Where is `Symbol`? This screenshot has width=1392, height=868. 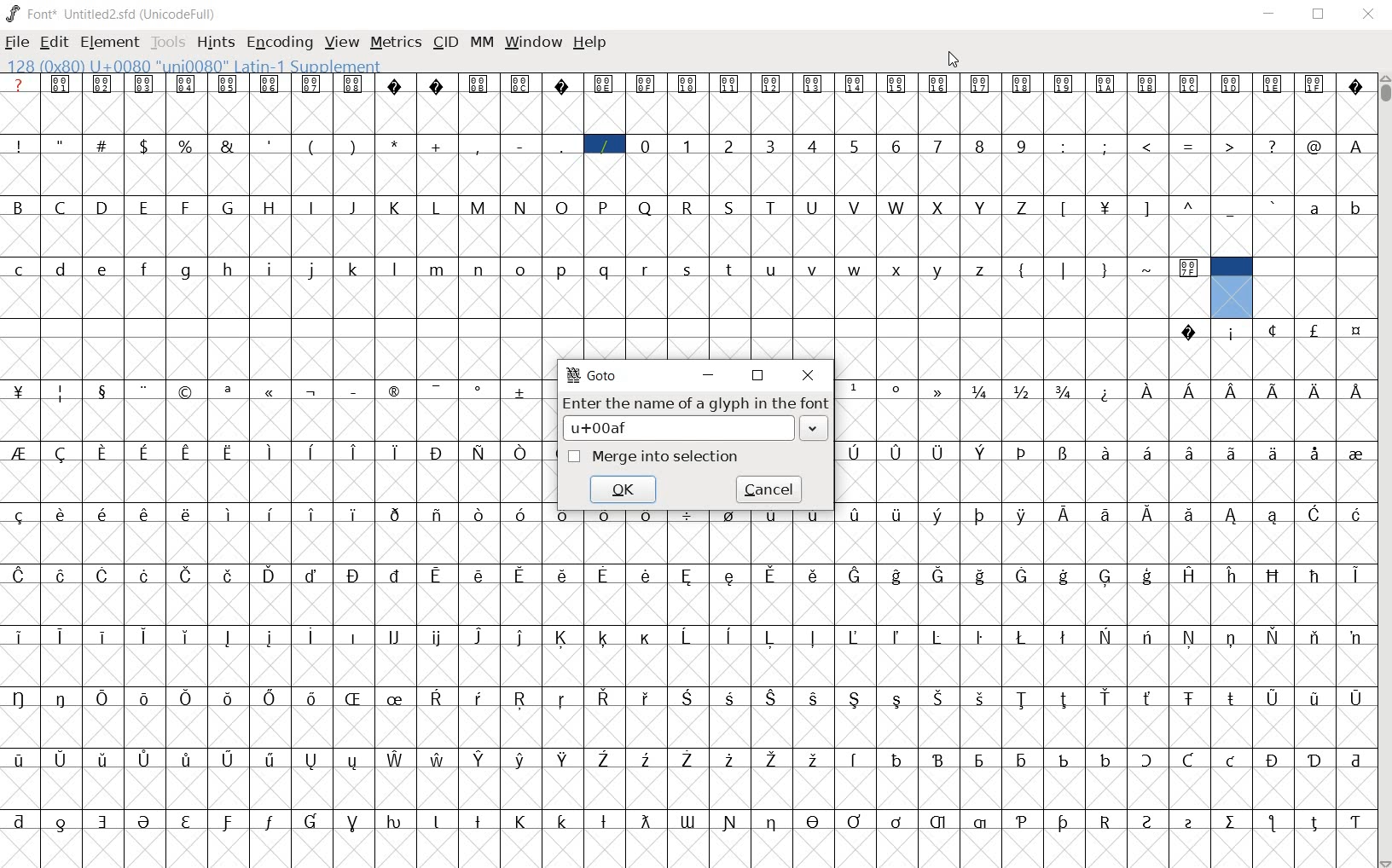 Symbol is located at coordinates (1147, 575).